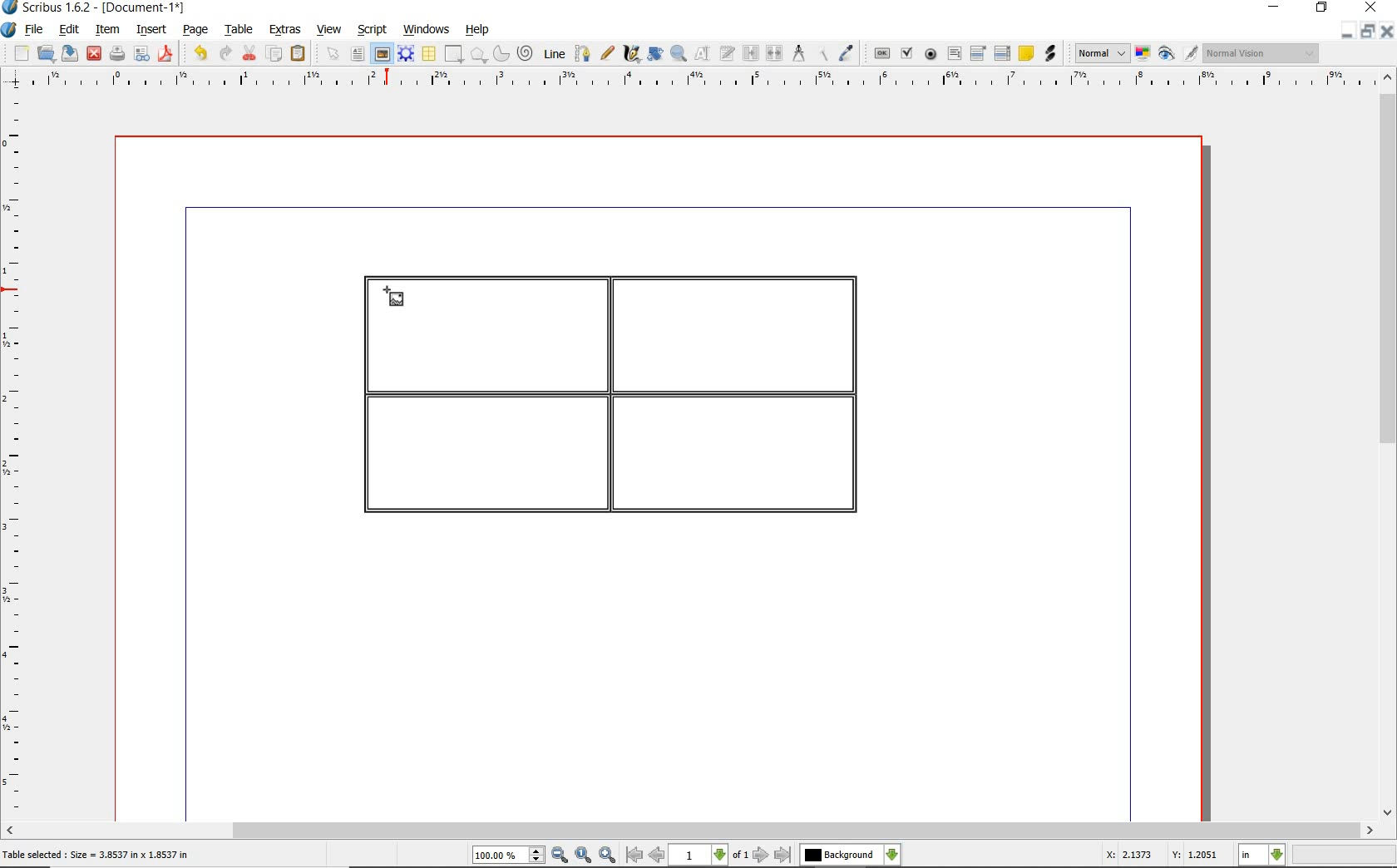  What do you see at coordinates (430, 55) in the screenshot?
I see `table` at bounding box center [430, 55].